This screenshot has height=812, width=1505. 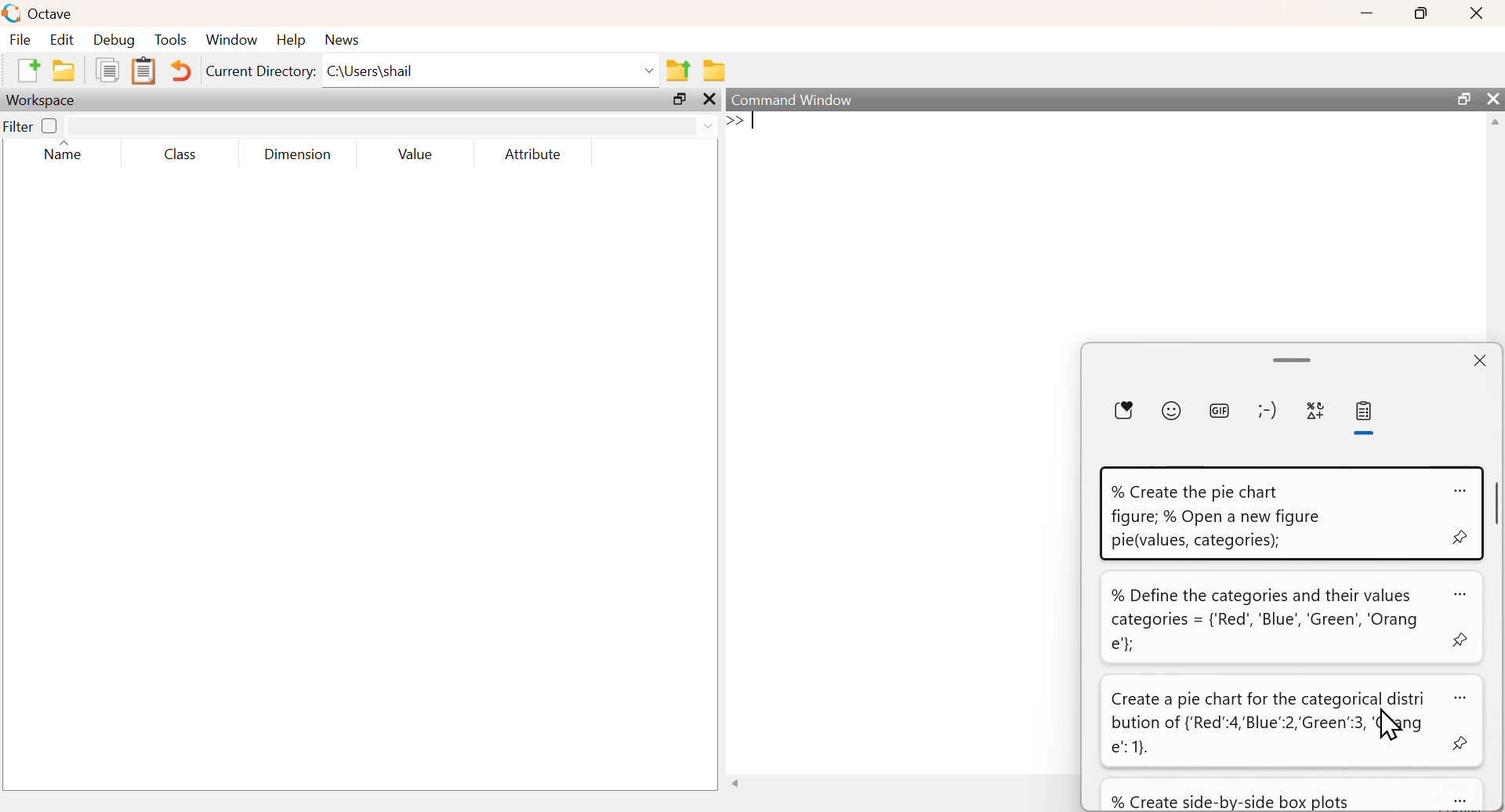 I want to click on more options, so click(x=1460, y=491).